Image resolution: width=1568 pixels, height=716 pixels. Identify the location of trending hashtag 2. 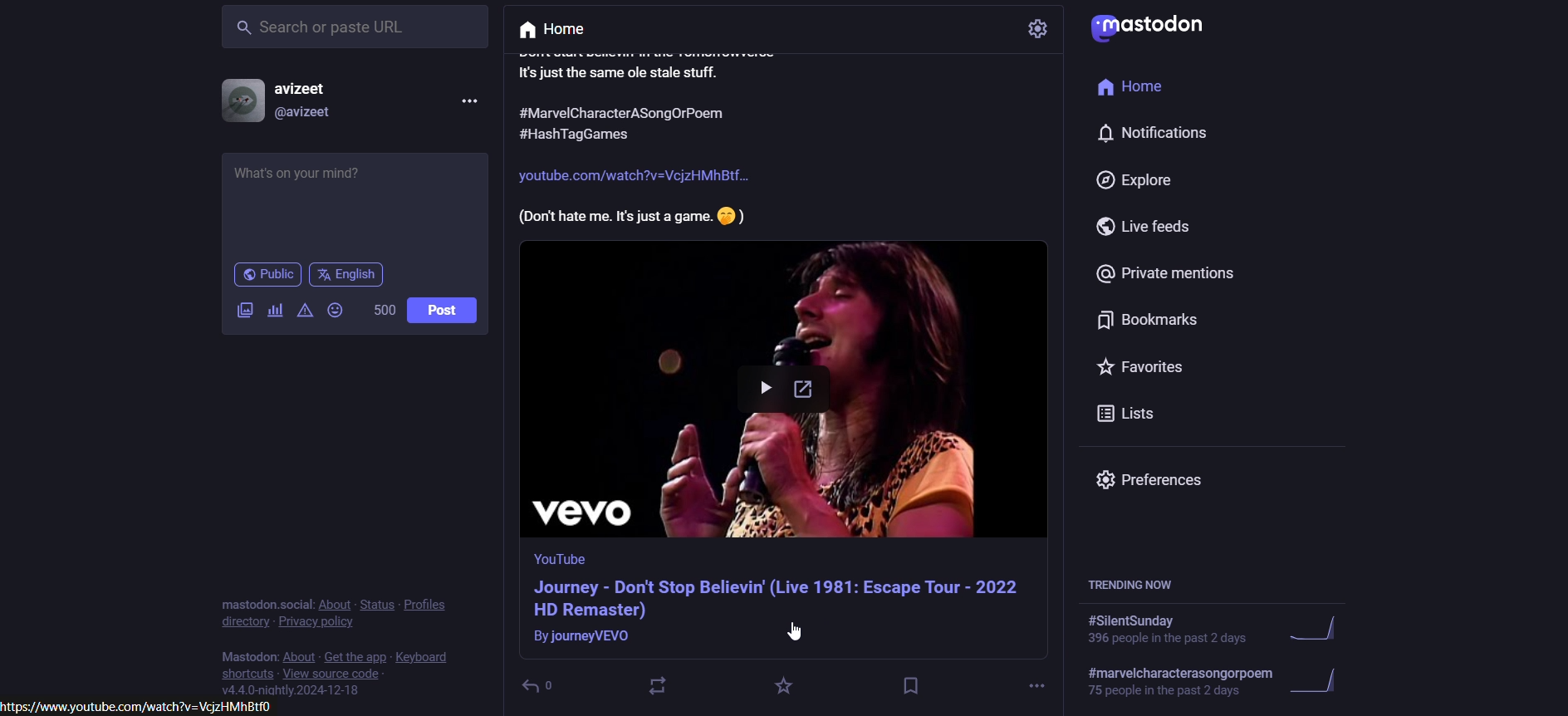
(1223, 684).